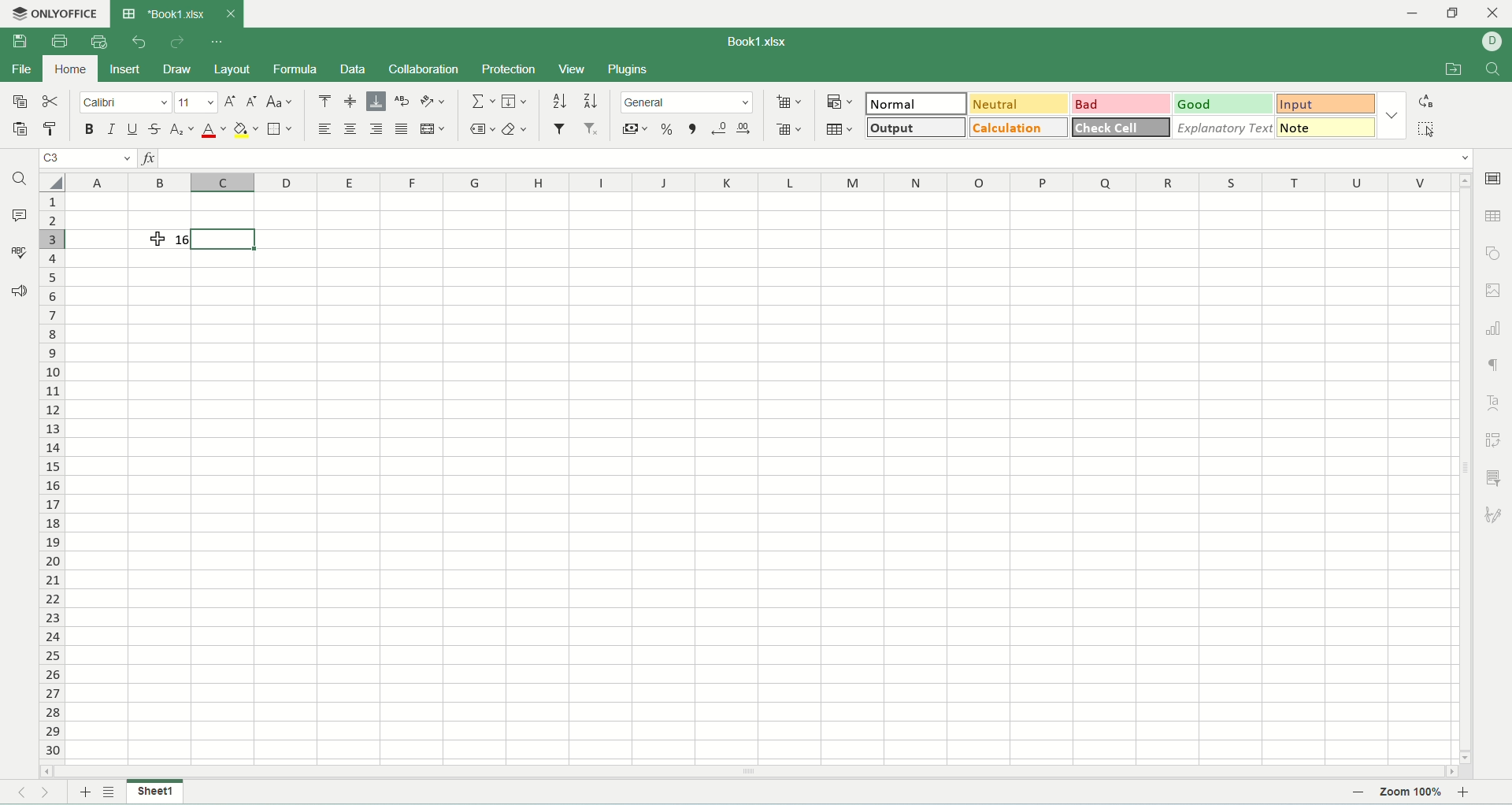  What do you see at coordinates (20, 293) in the screenshot?
I see `support and feedback` at bounding box center [20, 293].